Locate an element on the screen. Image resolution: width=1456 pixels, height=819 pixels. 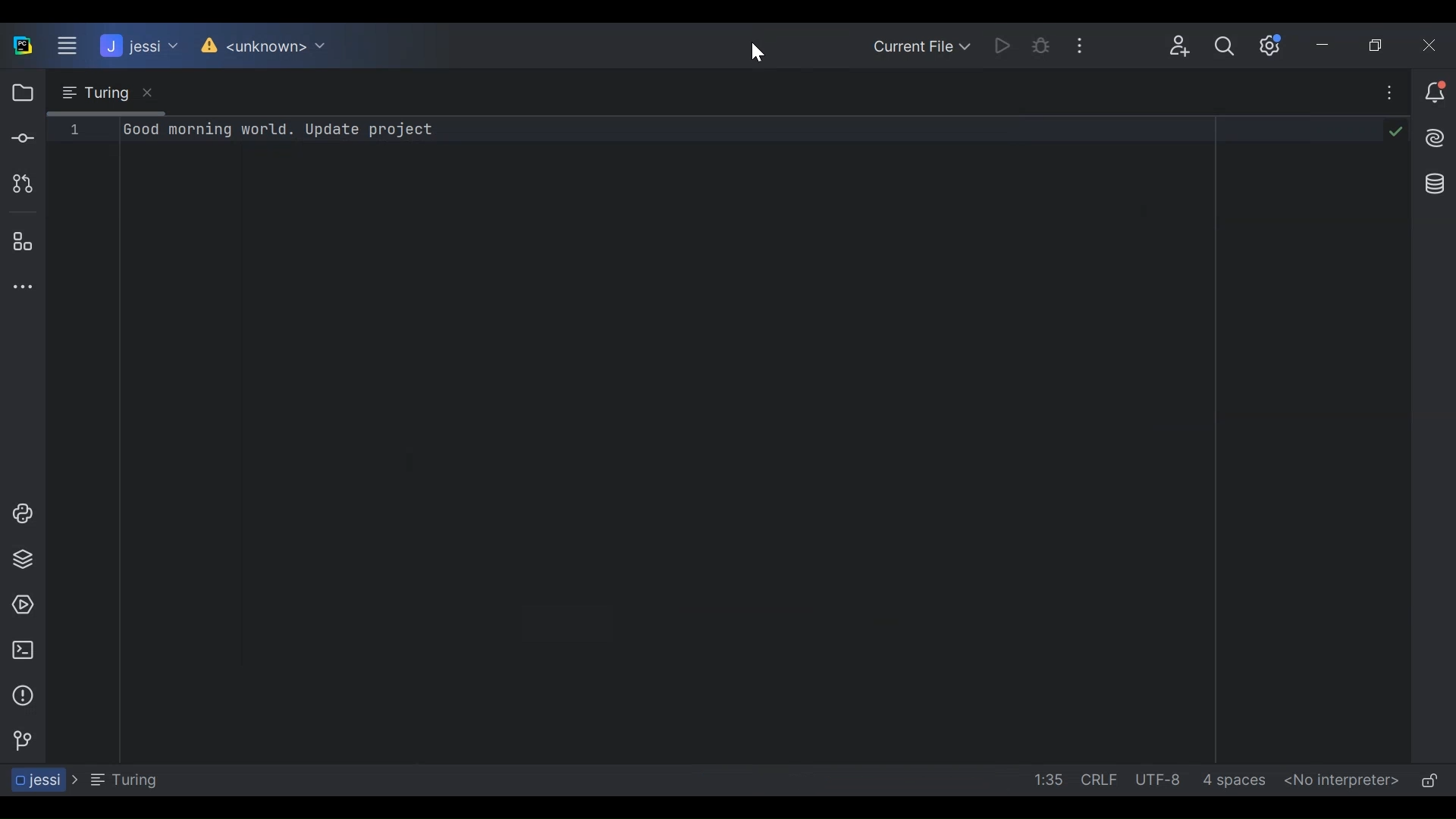
good morning world. update project is located at coordinates (281, 130).